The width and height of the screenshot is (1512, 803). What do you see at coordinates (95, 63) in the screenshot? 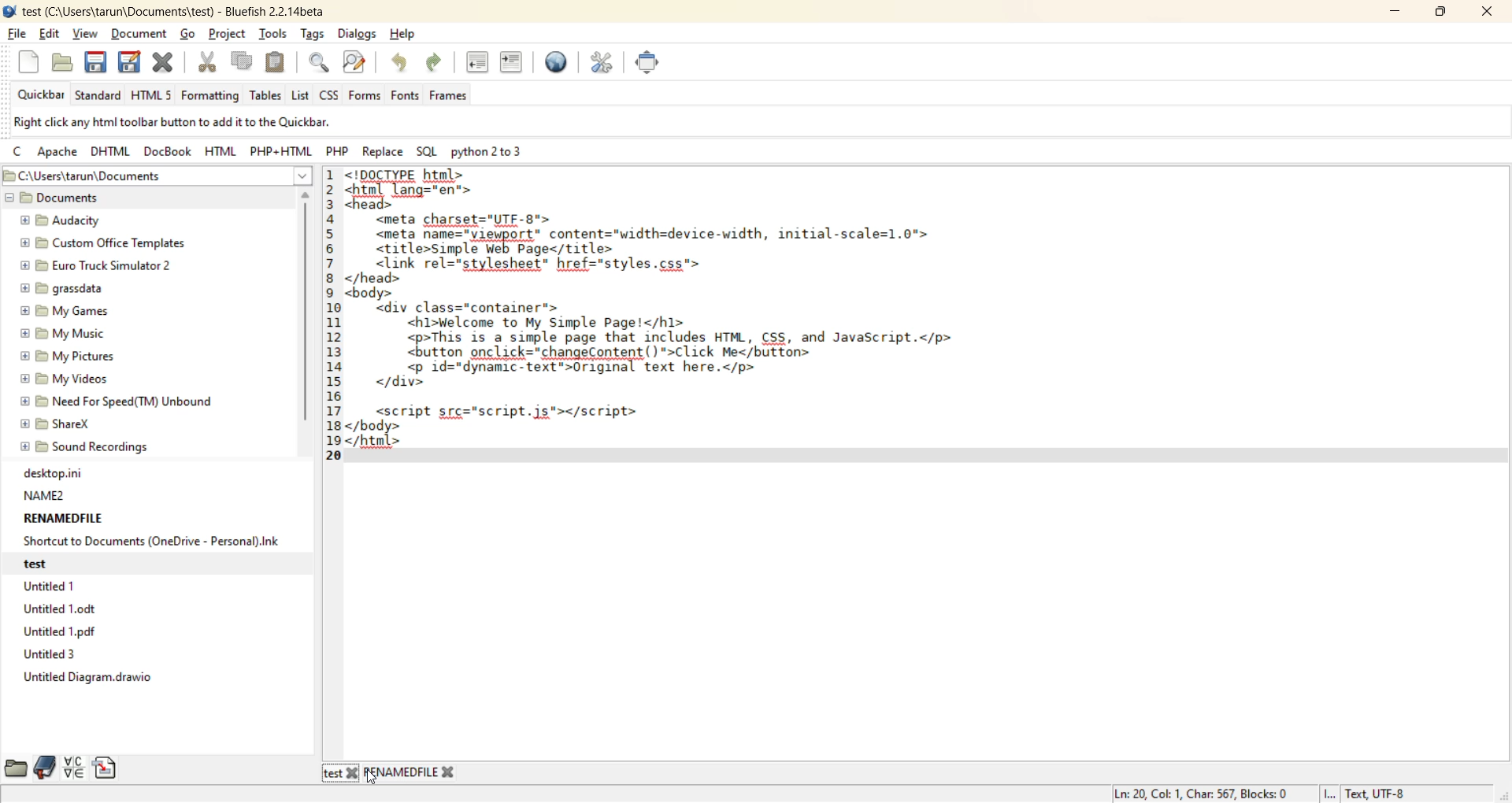
I see `save` at bounding box center [95, 63].